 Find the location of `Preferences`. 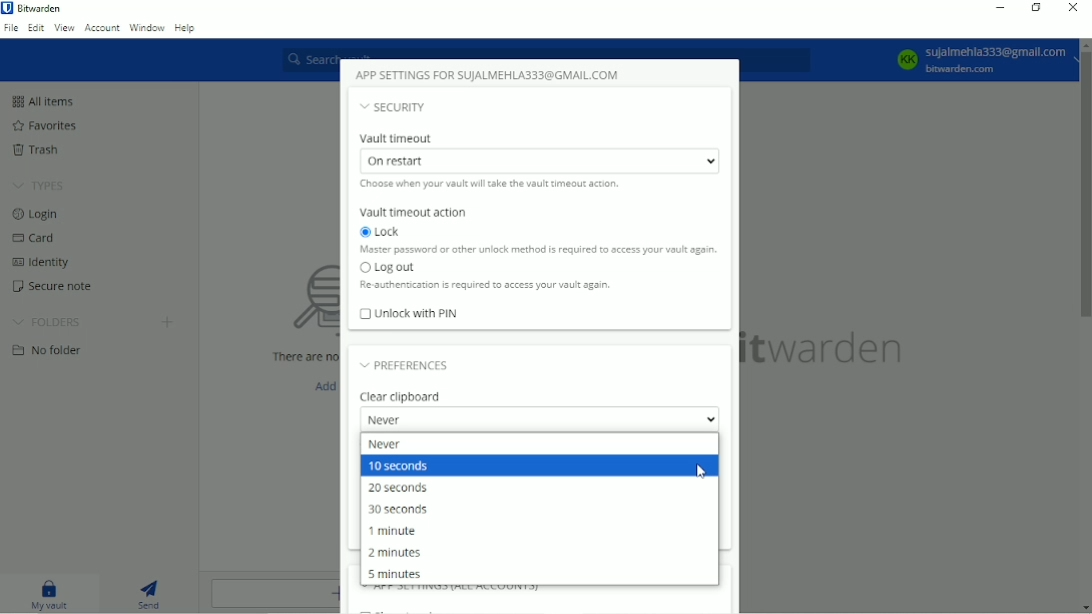

Preferences is located at coordinates (405, 365).